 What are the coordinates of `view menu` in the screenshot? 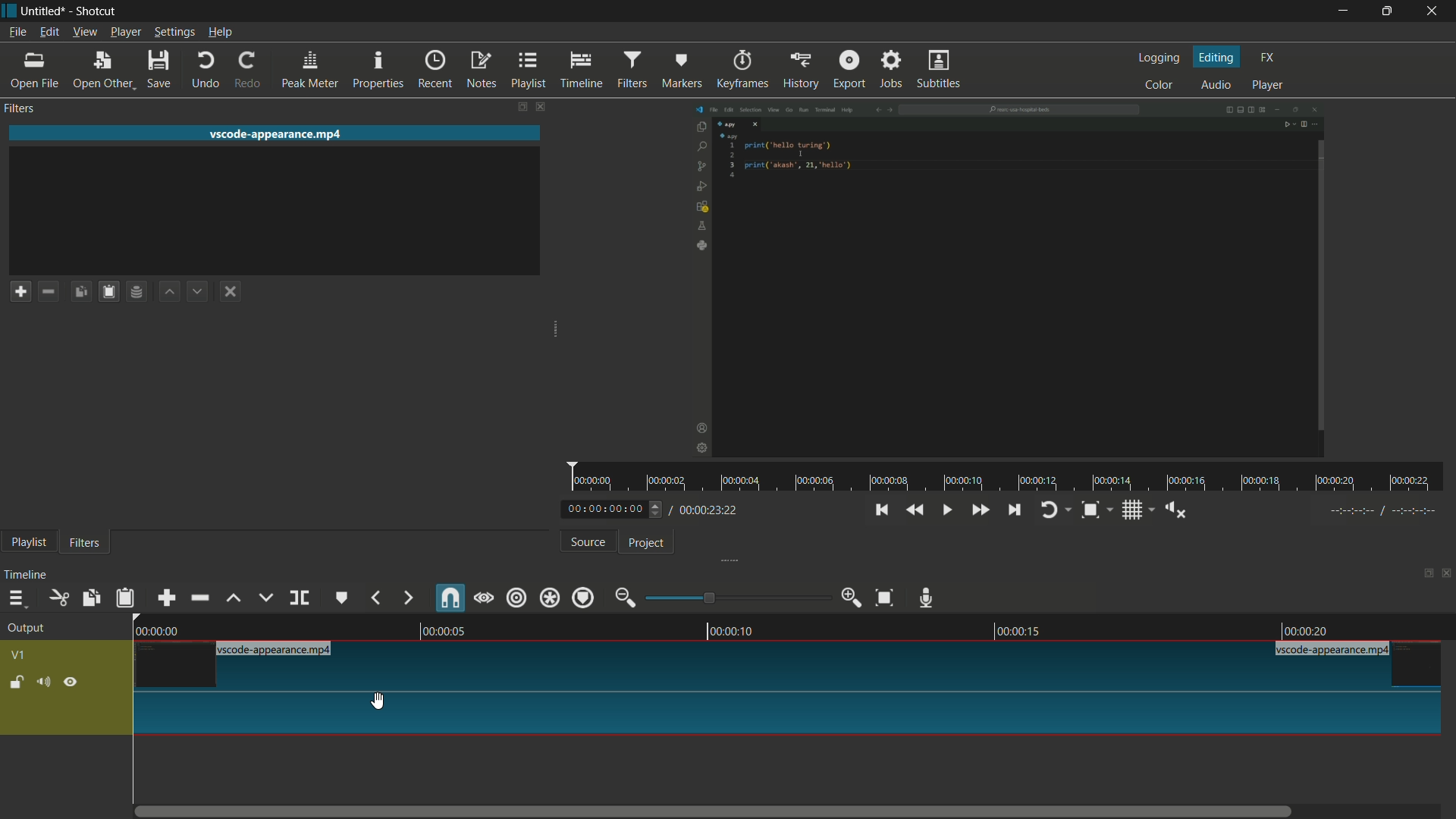 It's located at (83, 33).